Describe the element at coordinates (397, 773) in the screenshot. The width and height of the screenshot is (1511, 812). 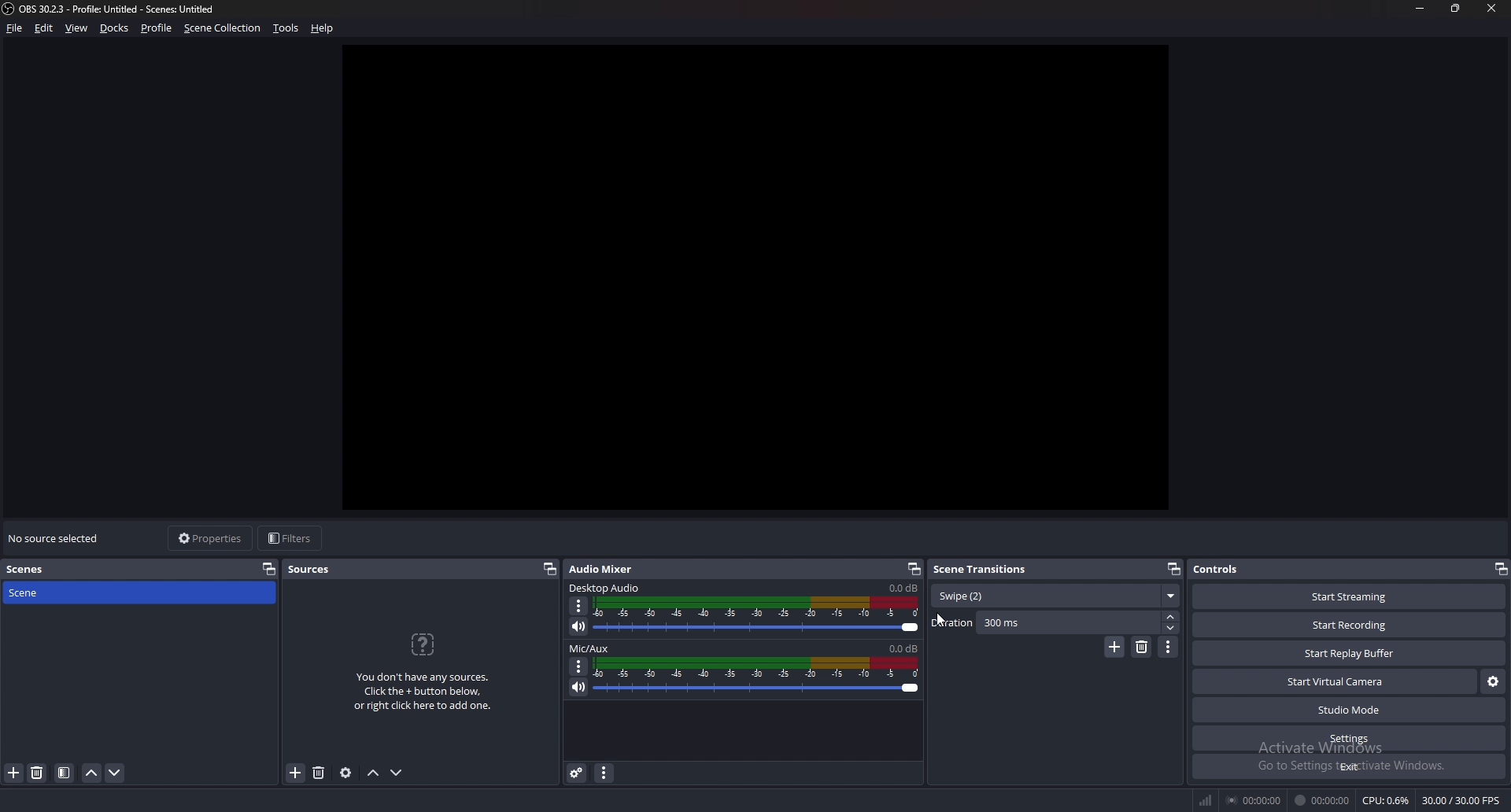
I see `move down` at that location.